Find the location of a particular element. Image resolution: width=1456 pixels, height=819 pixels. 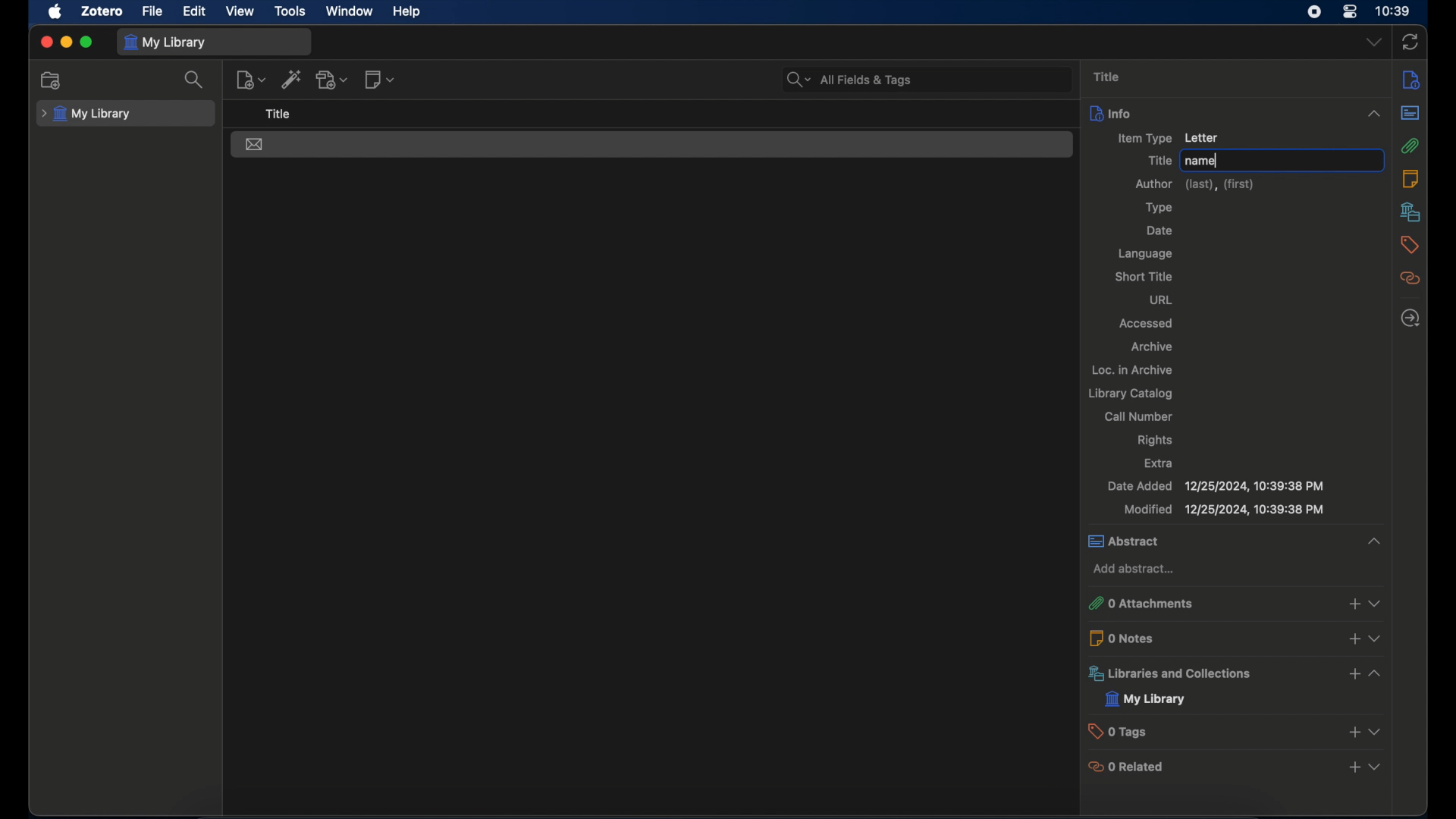

view more is located at coordinates (1376, 673).